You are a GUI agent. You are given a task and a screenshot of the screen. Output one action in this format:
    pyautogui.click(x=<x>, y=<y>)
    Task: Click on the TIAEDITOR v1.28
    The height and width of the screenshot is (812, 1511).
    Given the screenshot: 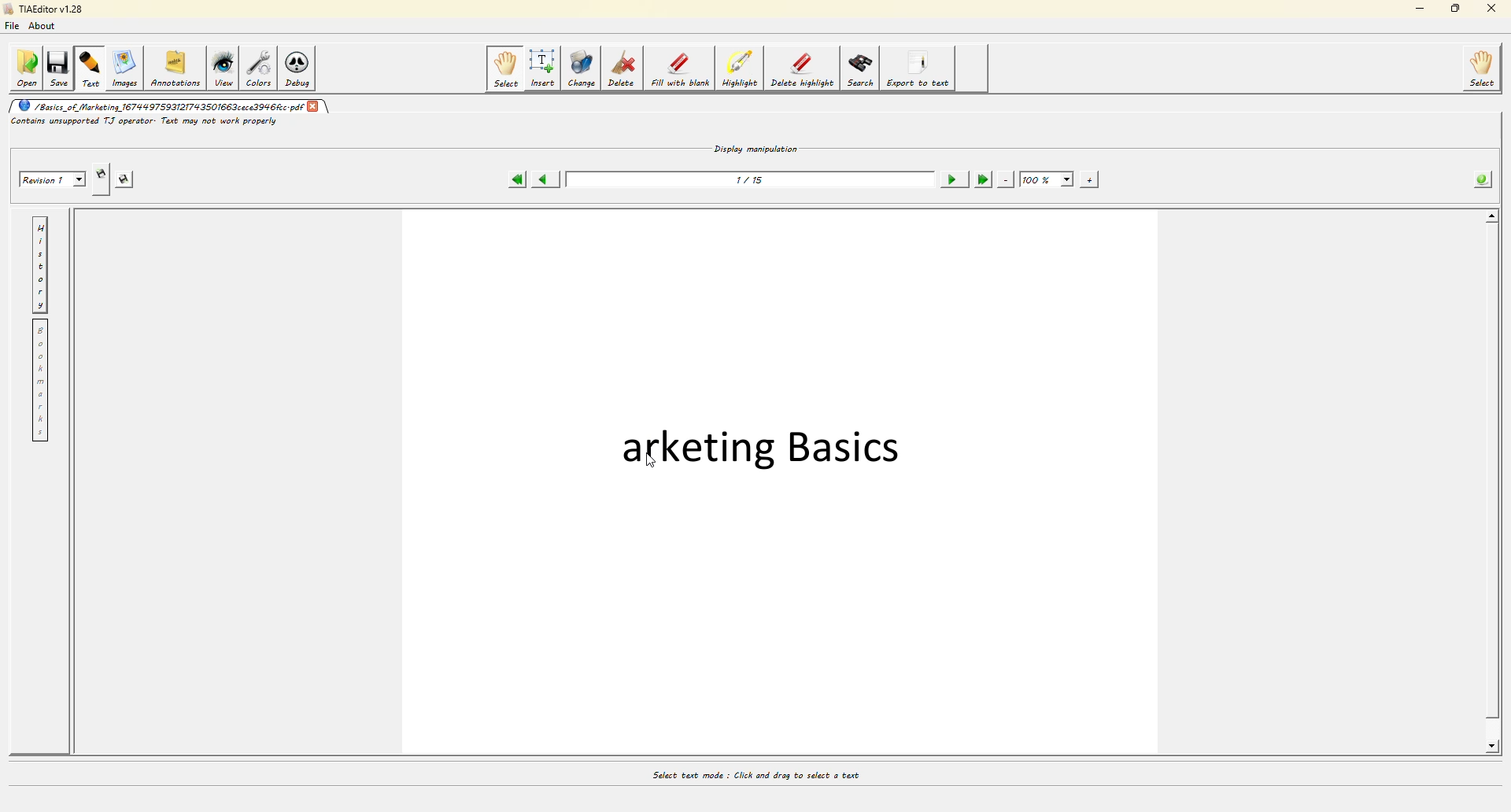 What is the action you would take?
    pyautogui.click(x=43, y=10)
    